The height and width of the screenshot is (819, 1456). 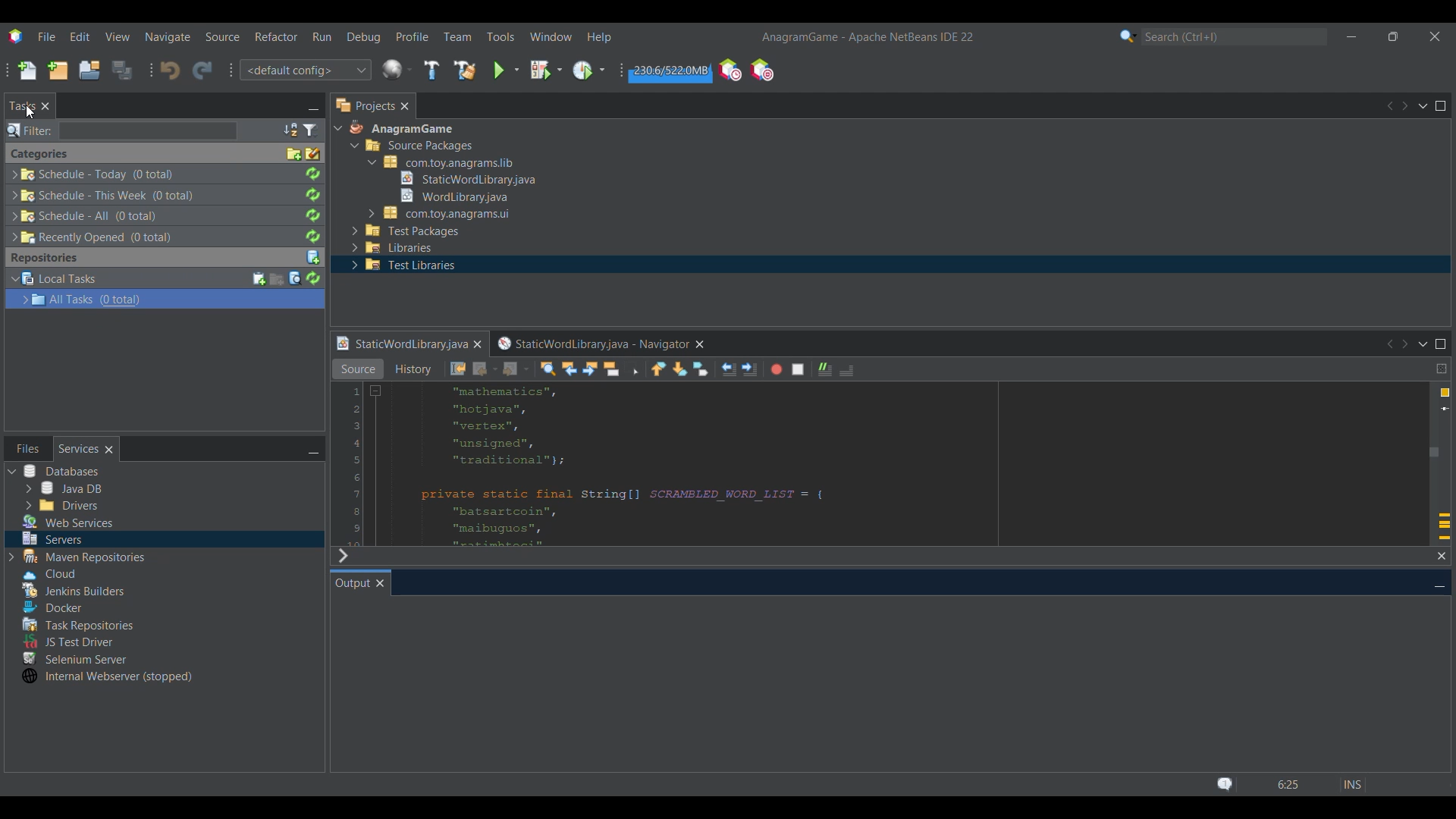 What do you see at coordinates (27, 71) in the screenshot?
I see `New file` at bounding box center [27, 71].